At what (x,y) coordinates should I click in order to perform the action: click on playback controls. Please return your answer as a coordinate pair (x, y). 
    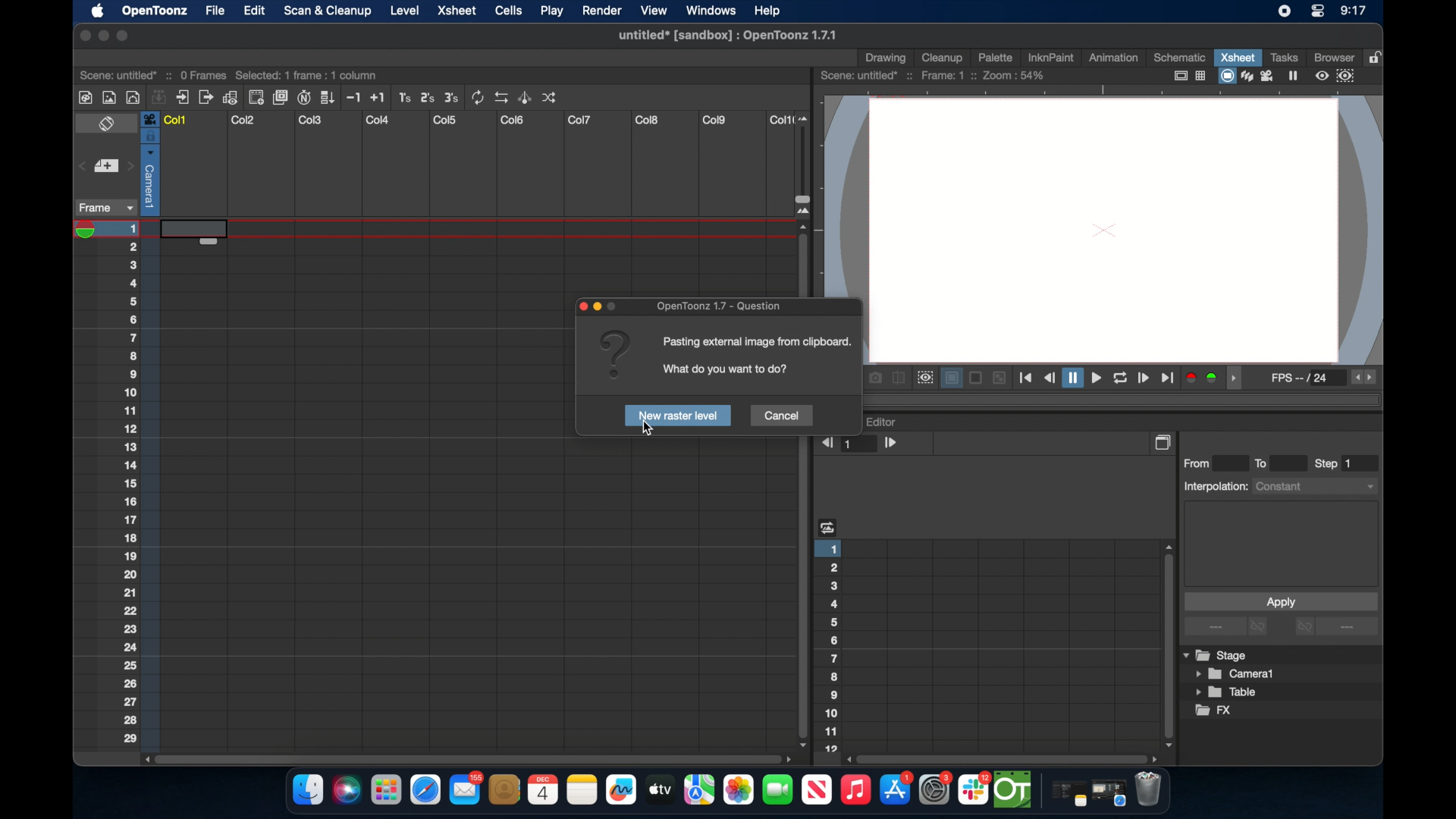
    Looking at the image, I should click on (1097, 378).